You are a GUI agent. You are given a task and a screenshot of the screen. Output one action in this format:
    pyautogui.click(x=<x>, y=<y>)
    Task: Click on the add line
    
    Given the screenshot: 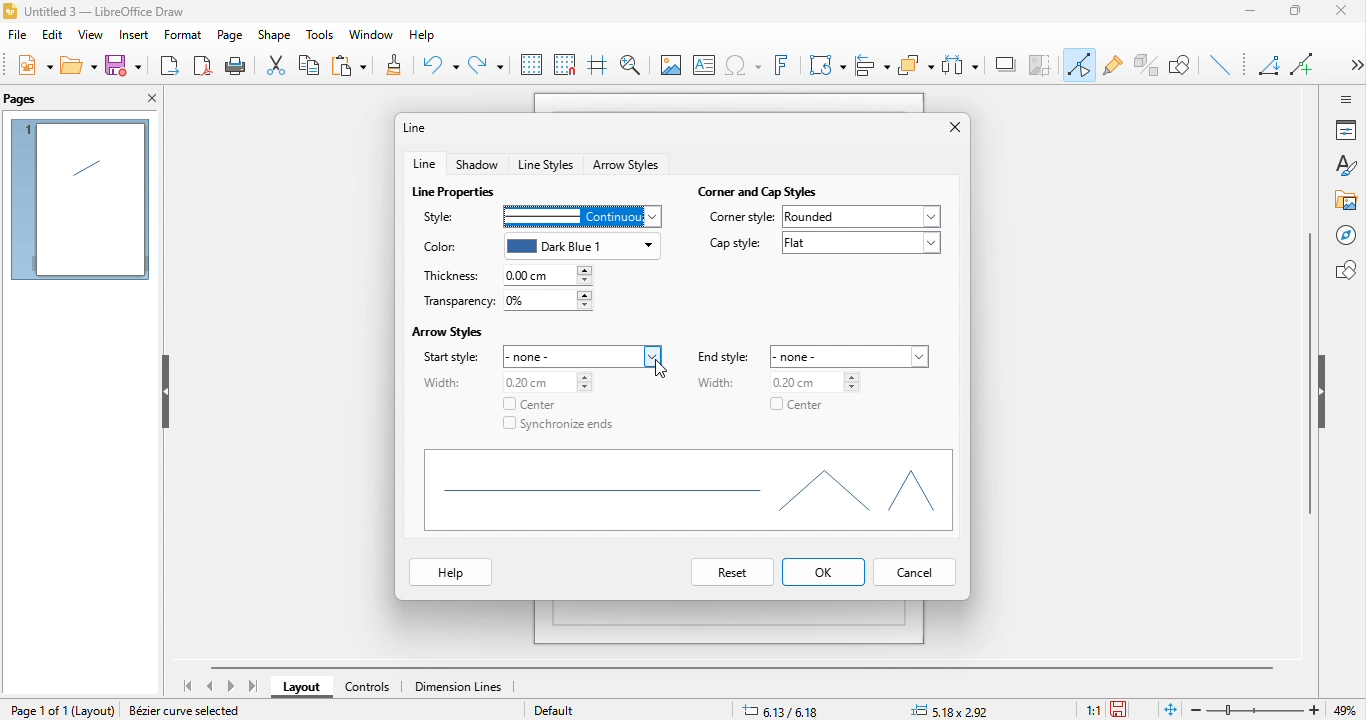 What is the action you would take?
    pyautogui.click(x=1307, y=62)
    